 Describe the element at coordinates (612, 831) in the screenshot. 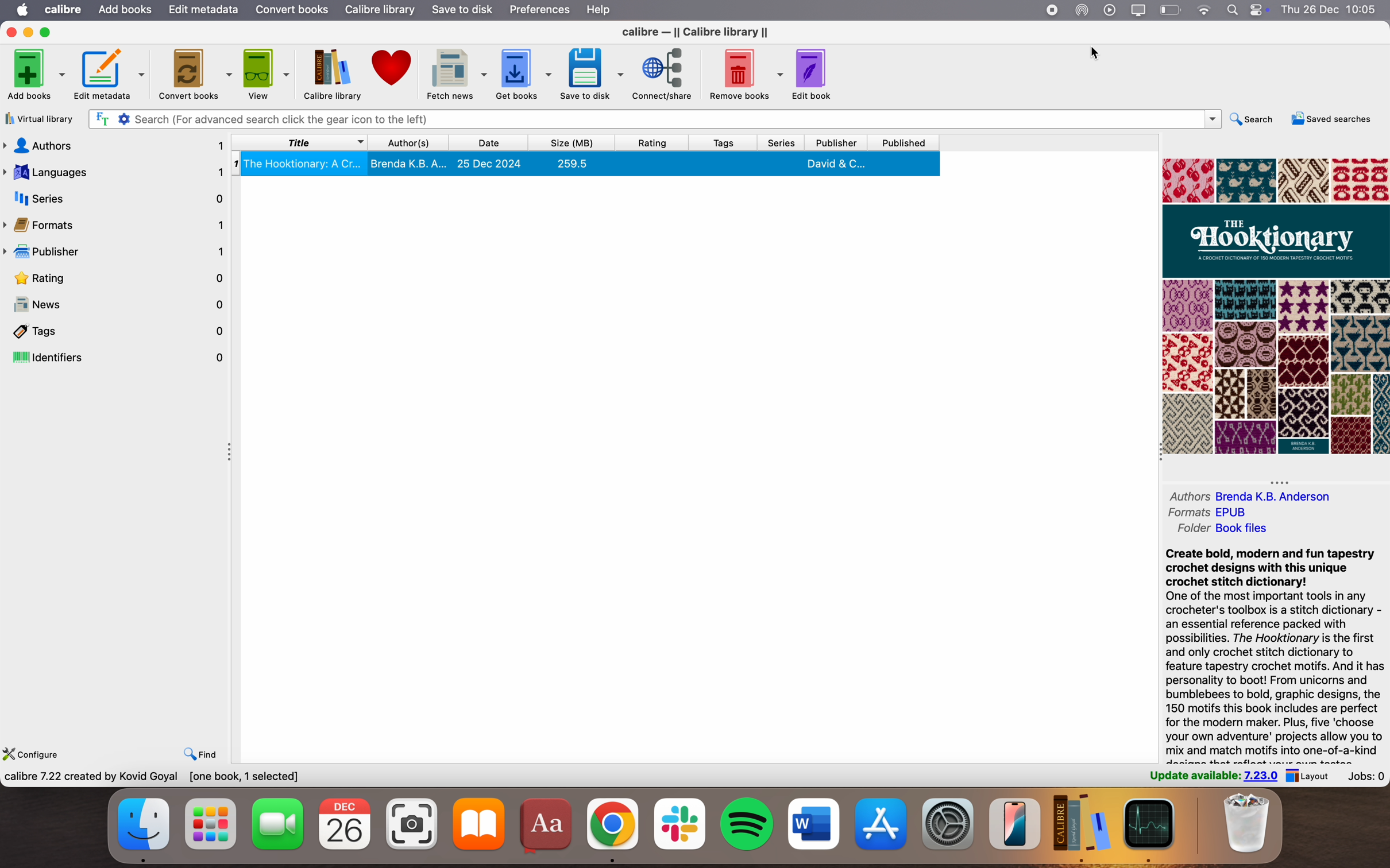

I see `Google Chrome` at that location.